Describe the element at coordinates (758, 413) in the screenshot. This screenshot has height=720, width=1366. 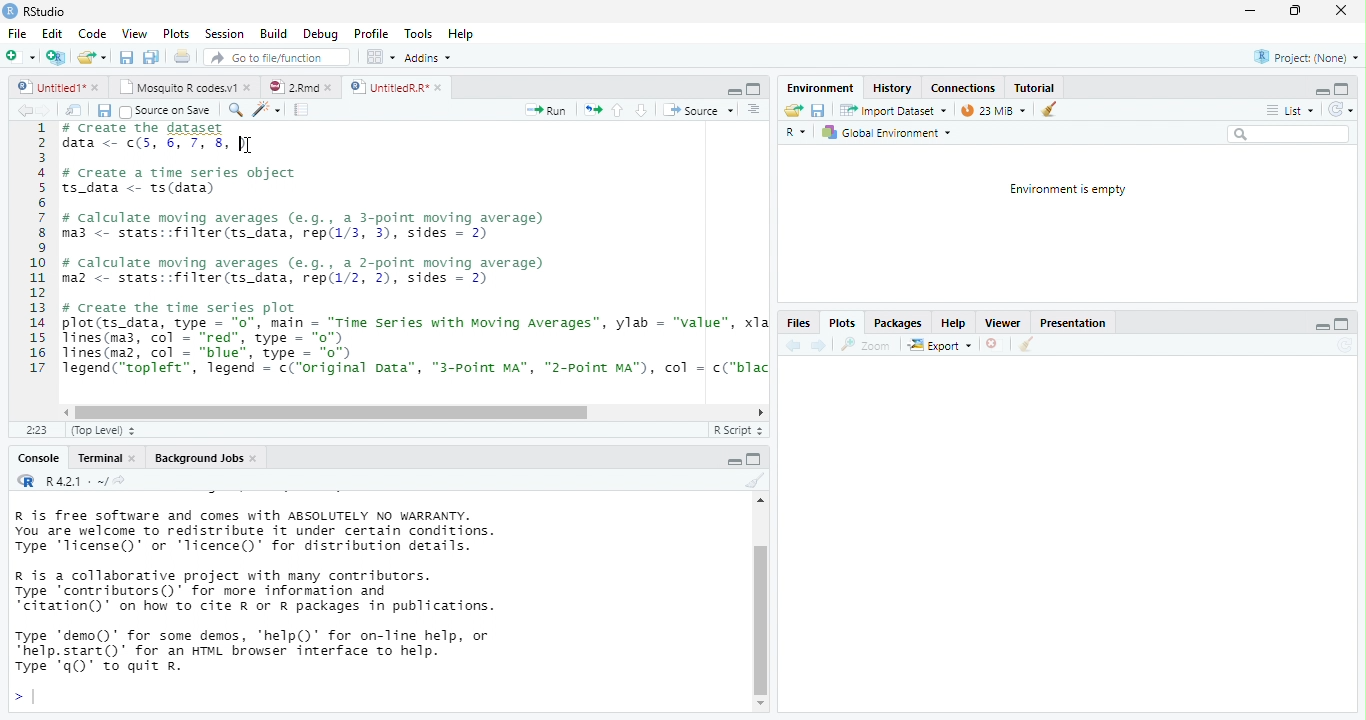
I see `scrollbar right` at that location.